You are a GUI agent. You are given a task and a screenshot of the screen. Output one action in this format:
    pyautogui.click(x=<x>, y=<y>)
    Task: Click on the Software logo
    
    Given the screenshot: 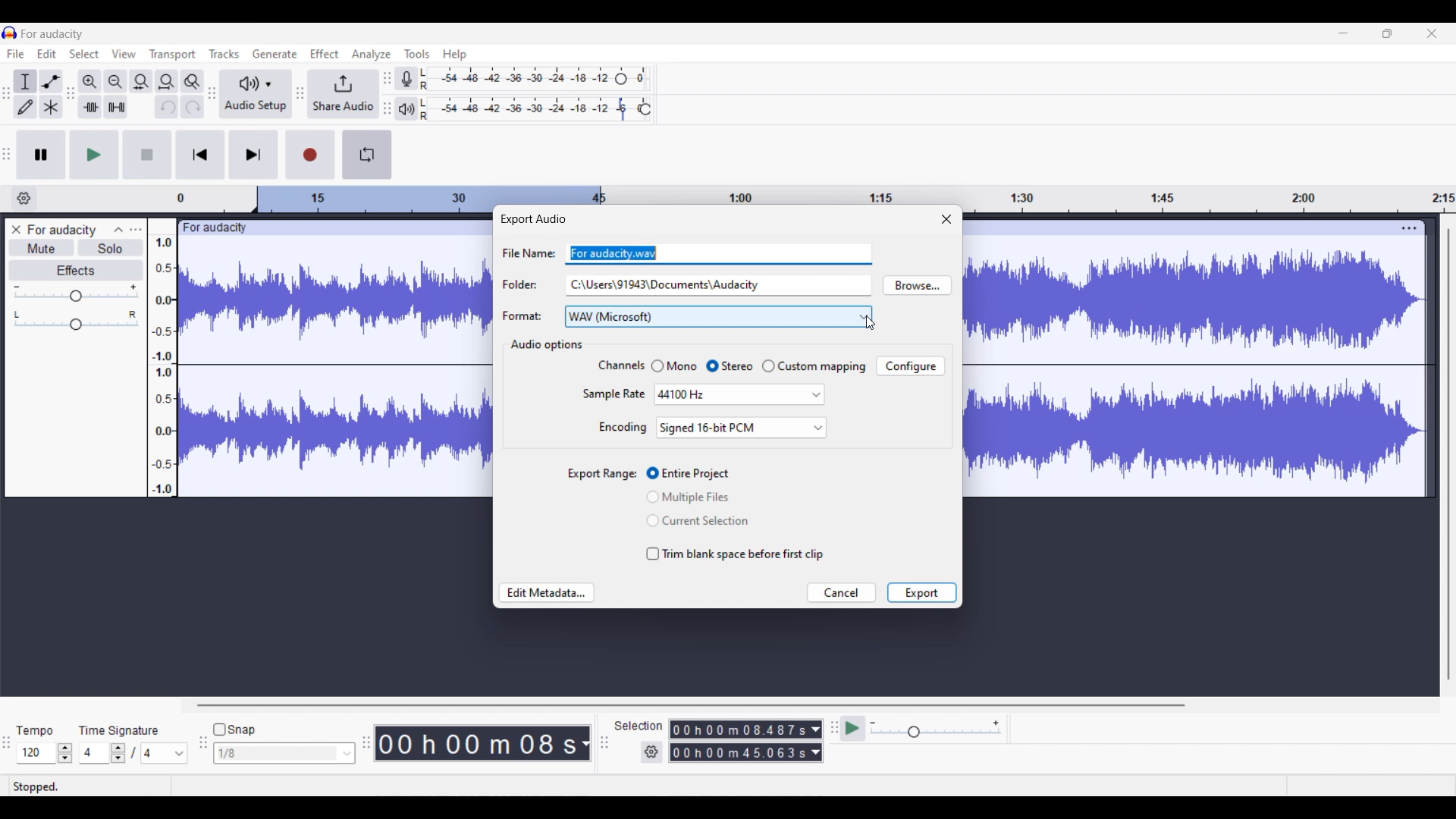 What is the action you would take?
    pyautogui.click(x=10, y=33)
    